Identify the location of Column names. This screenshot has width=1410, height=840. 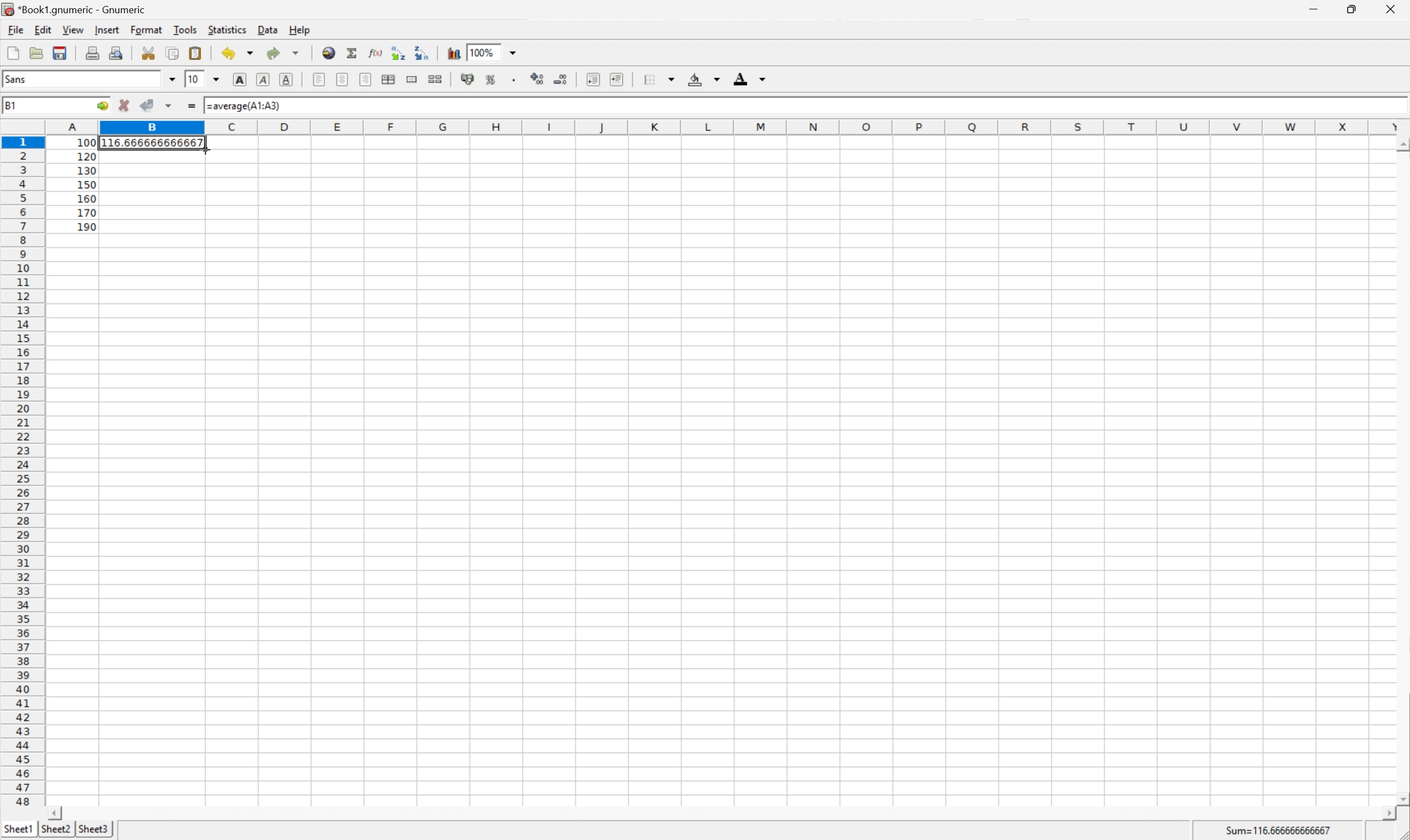
(725, 127).